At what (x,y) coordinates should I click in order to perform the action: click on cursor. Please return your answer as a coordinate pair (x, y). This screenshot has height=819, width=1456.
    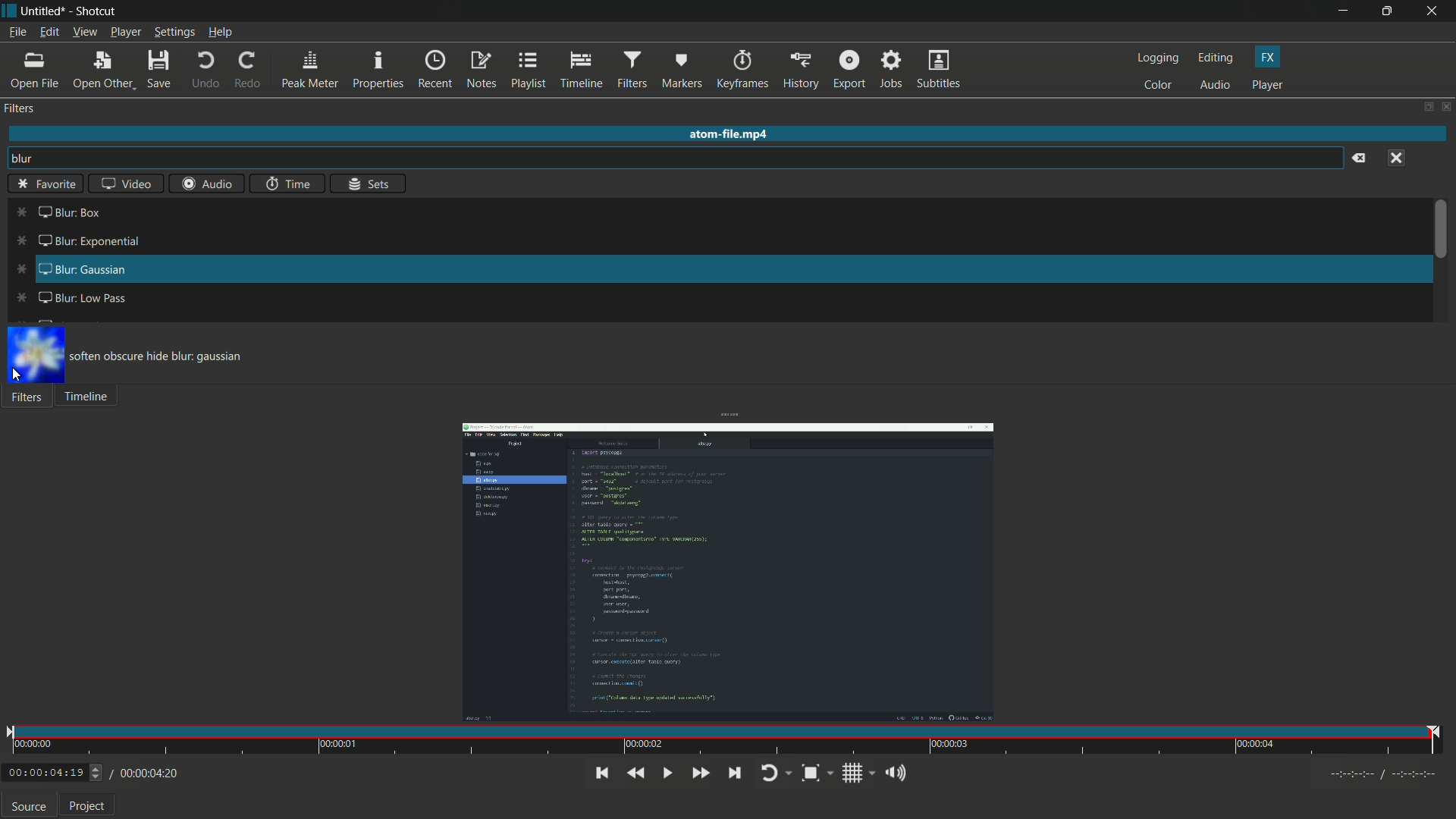
    Looking at the image, I should click on (17, 375).